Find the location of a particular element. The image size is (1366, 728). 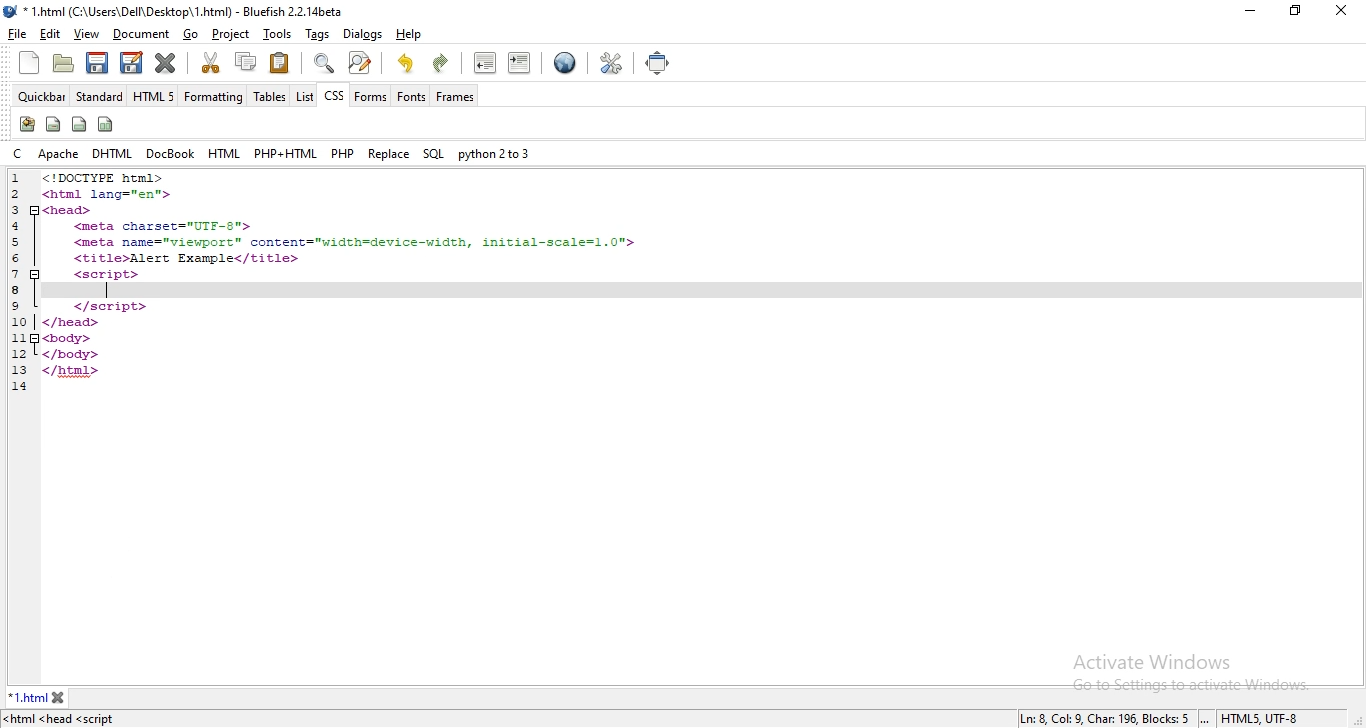

create folder is located at coordinates (65, 64).